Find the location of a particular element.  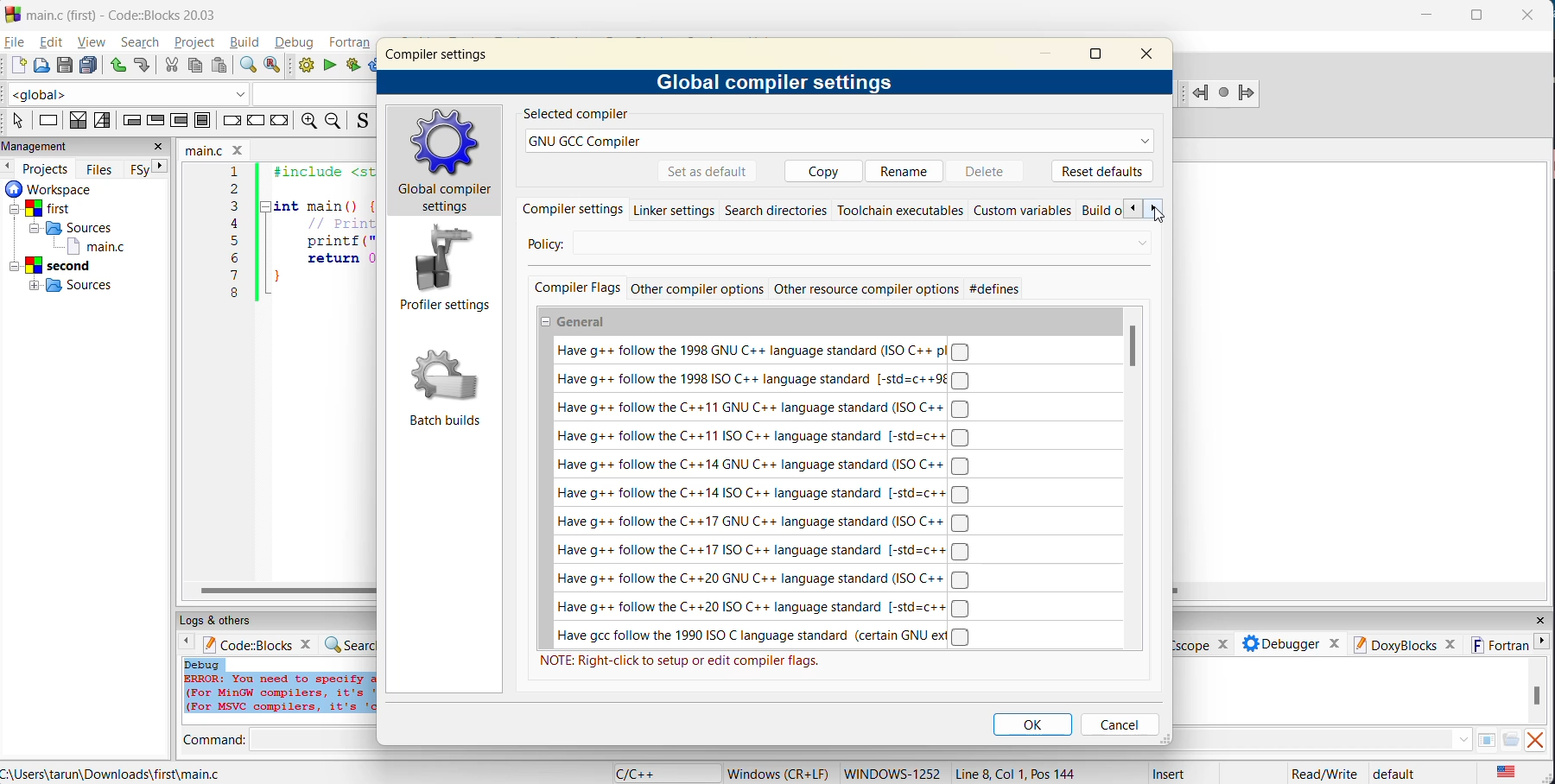

Have g++ follow the C++14 GNU C++ language standard (ISO C++ is located at coordinates (769, 465).